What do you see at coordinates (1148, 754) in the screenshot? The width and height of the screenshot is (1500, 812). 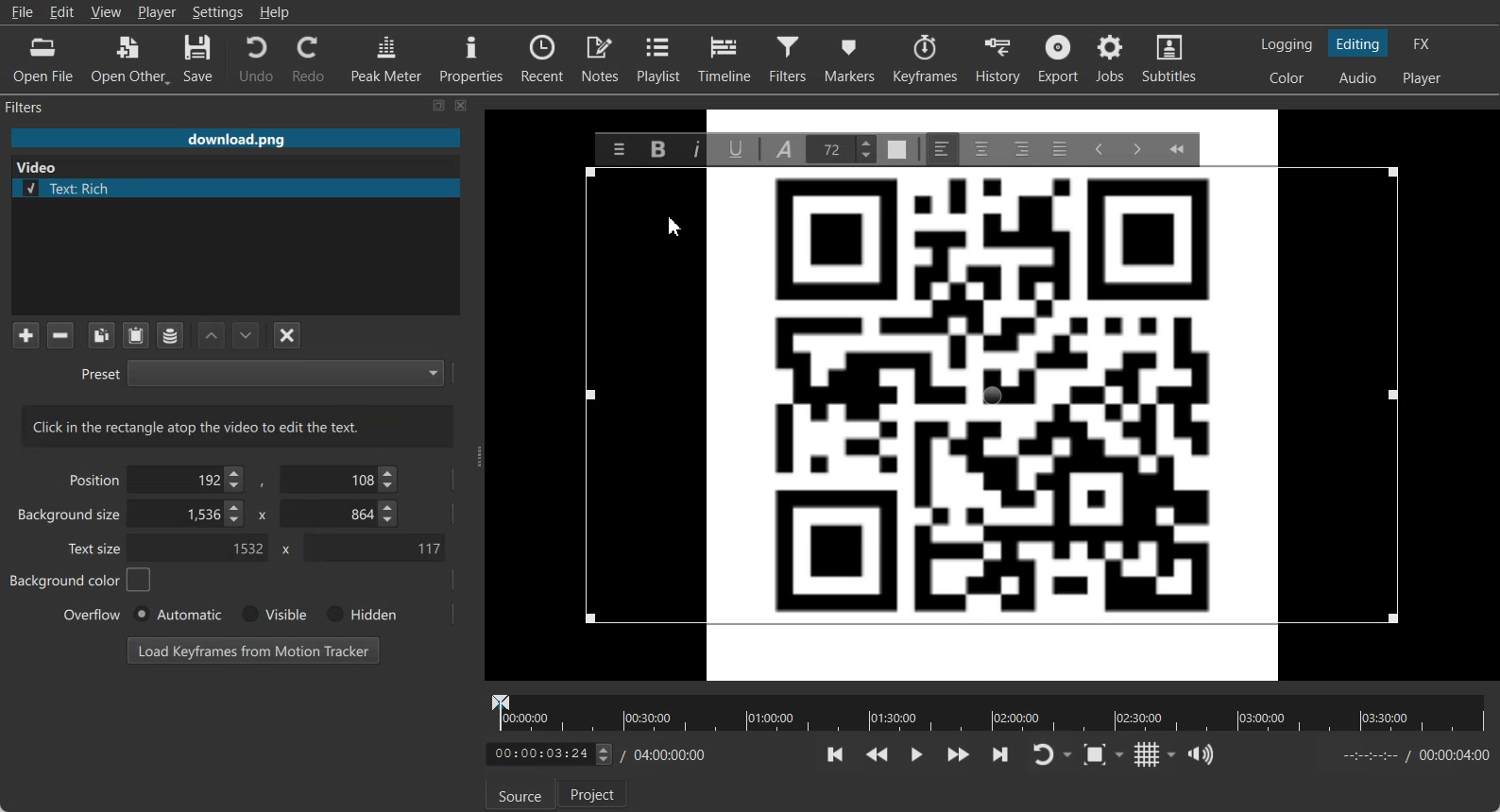 I see `Toggle grid display on the player` at bounding box center [1148, 754].